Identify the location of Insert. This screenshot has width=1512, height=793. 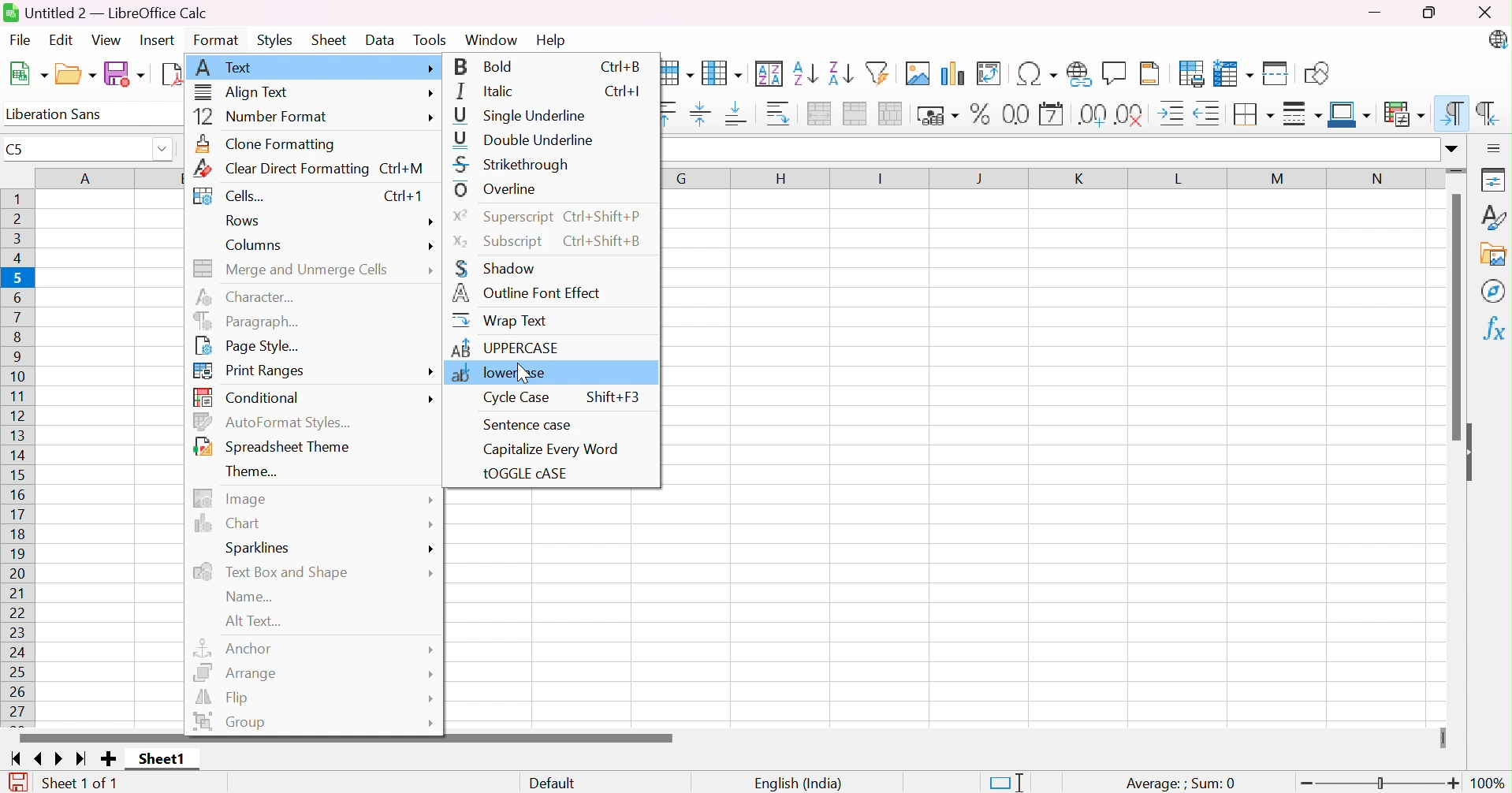
(158, 41).